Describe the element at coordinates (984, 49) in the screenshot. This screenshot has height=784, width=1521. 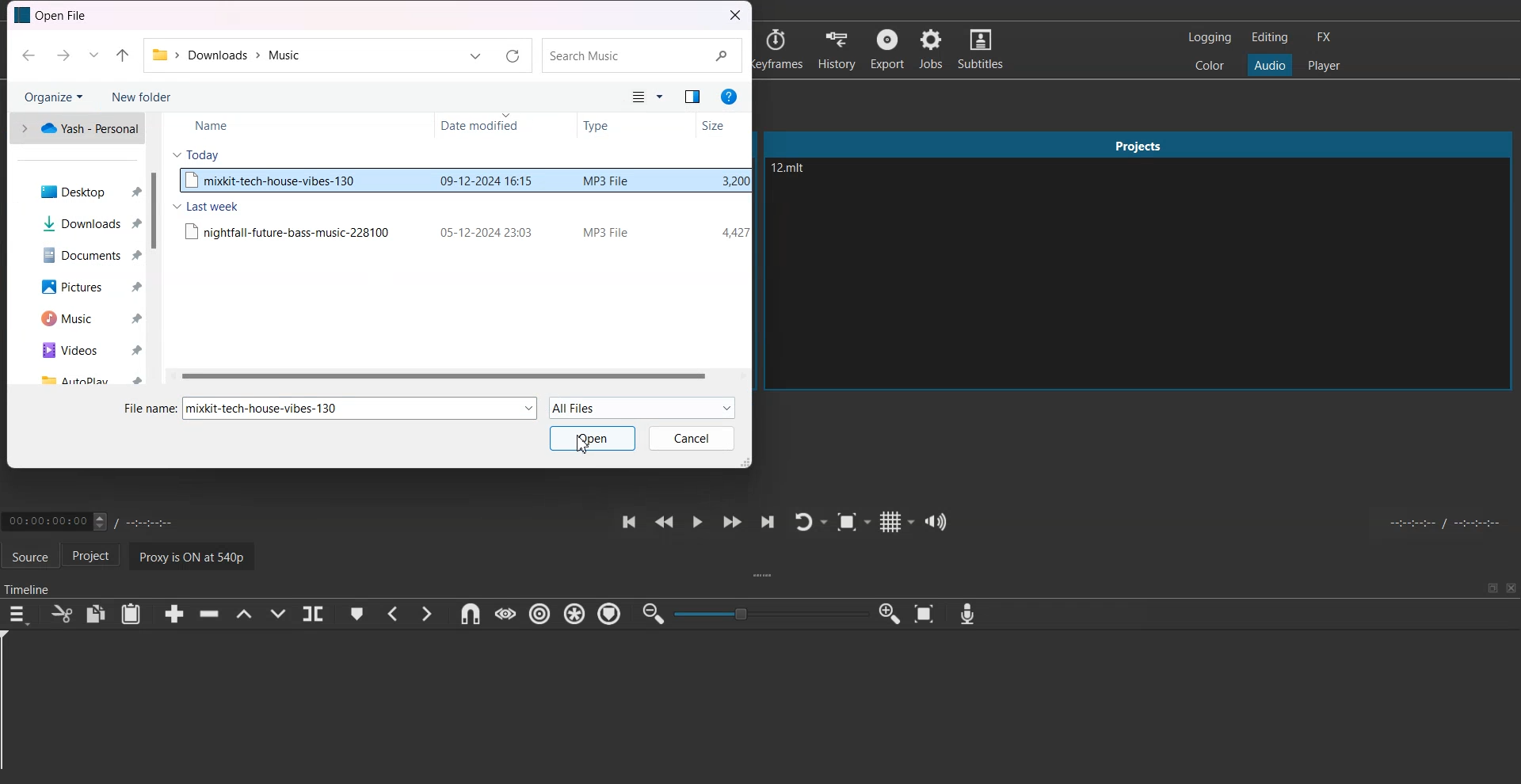
I see `Subtitles` at that location.